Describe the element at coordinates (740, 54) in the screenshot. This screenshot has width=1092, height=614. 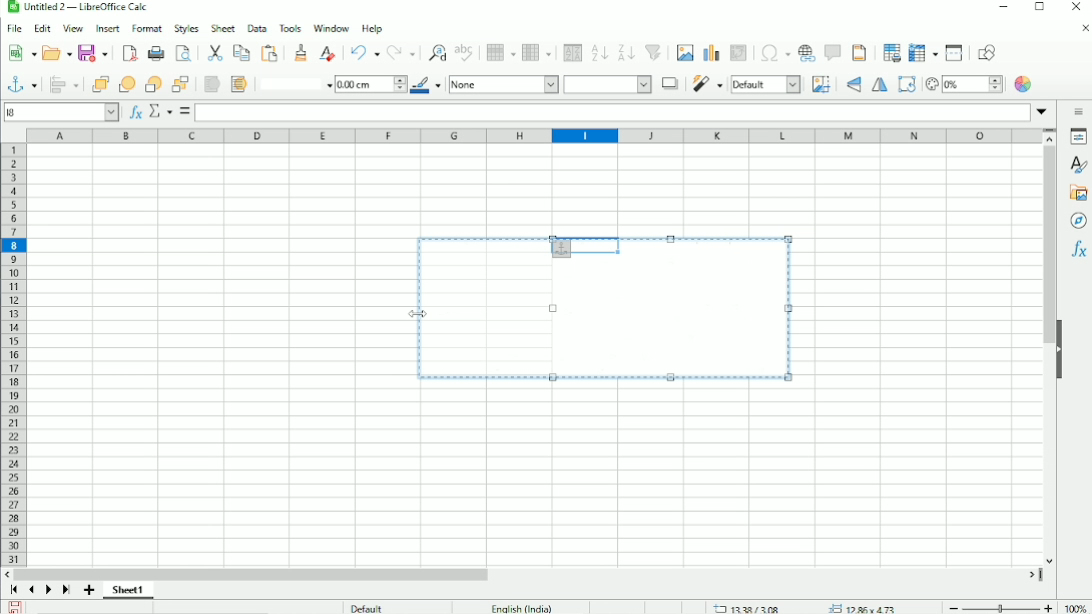
I see `Insert or edit pivot table` at that location.